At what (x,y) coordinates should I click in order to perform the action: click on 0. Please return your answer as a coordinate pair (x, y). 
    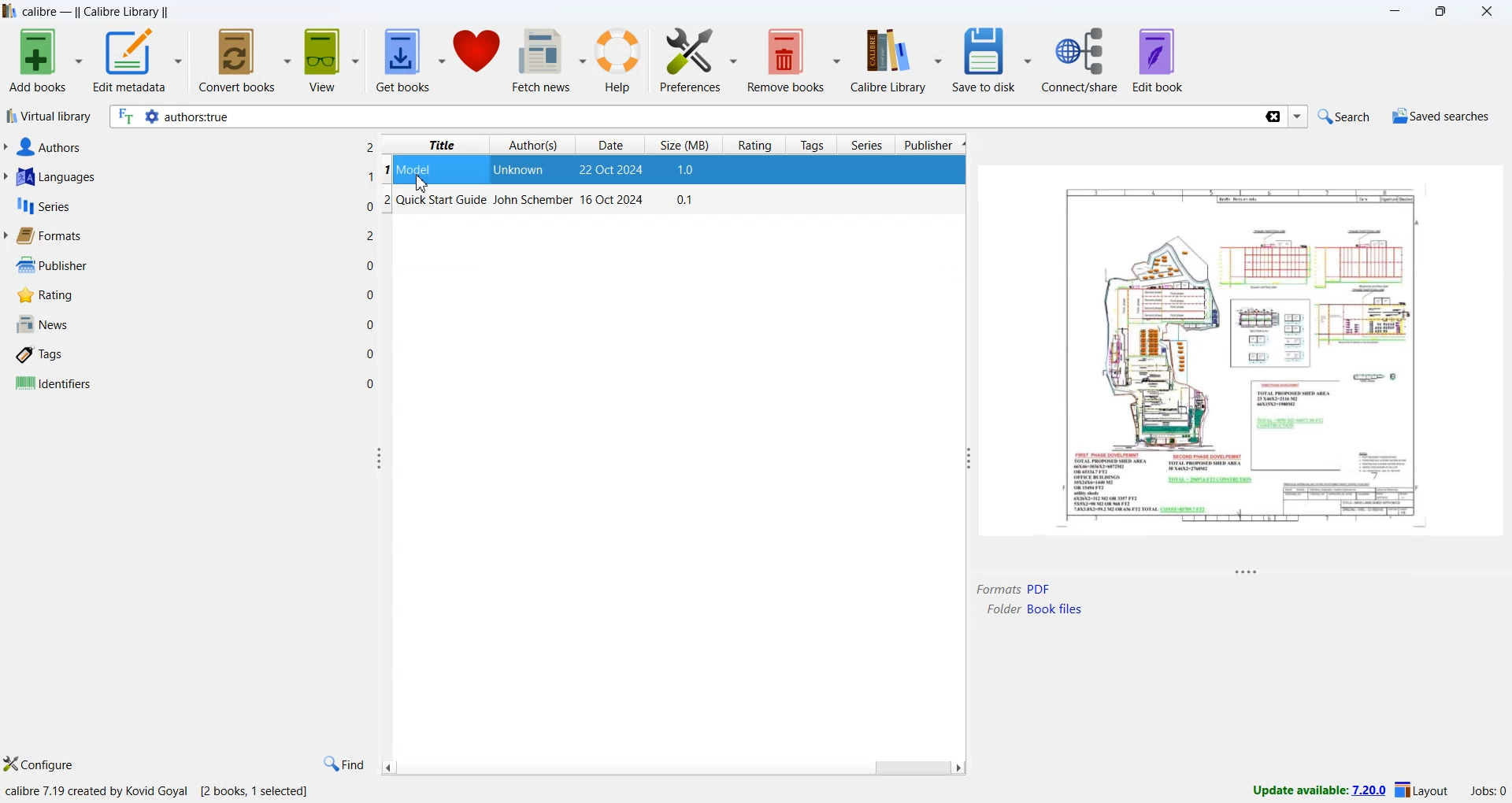
    Looking at the image, I should click on (371, 353).